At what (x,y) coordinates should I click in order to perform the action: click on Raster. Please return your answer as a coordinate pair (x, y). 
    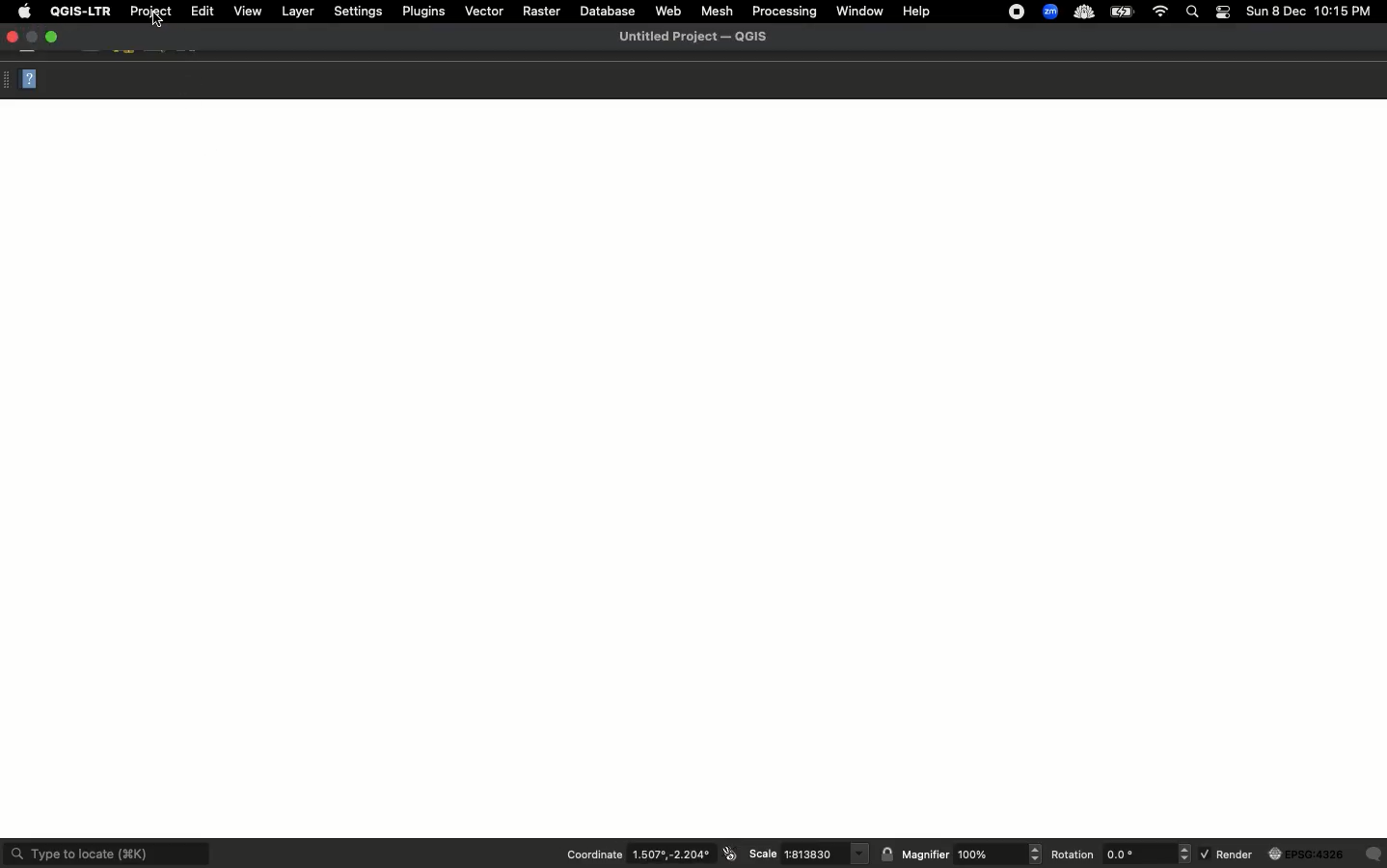
    Looking at the image, I should click on (542, 10).